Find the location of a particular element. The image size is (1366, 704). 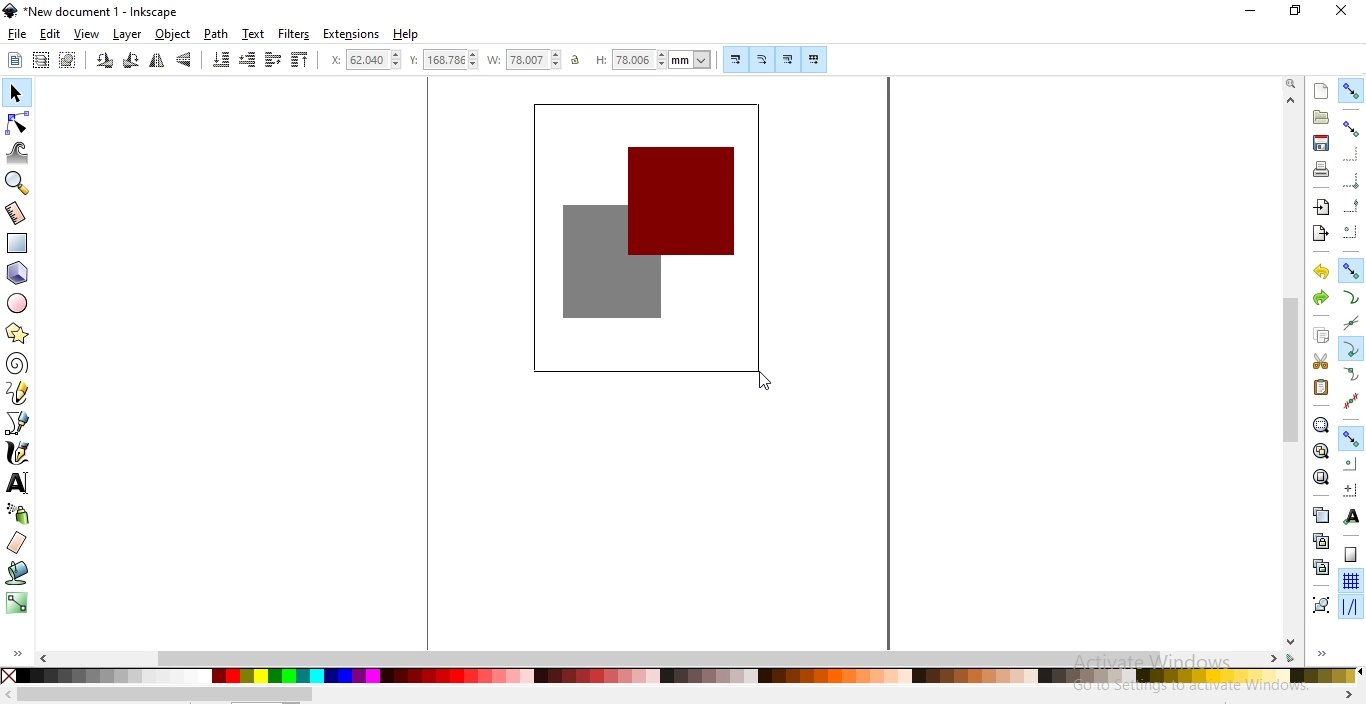

group objects is located at coordinates (1320, 606).